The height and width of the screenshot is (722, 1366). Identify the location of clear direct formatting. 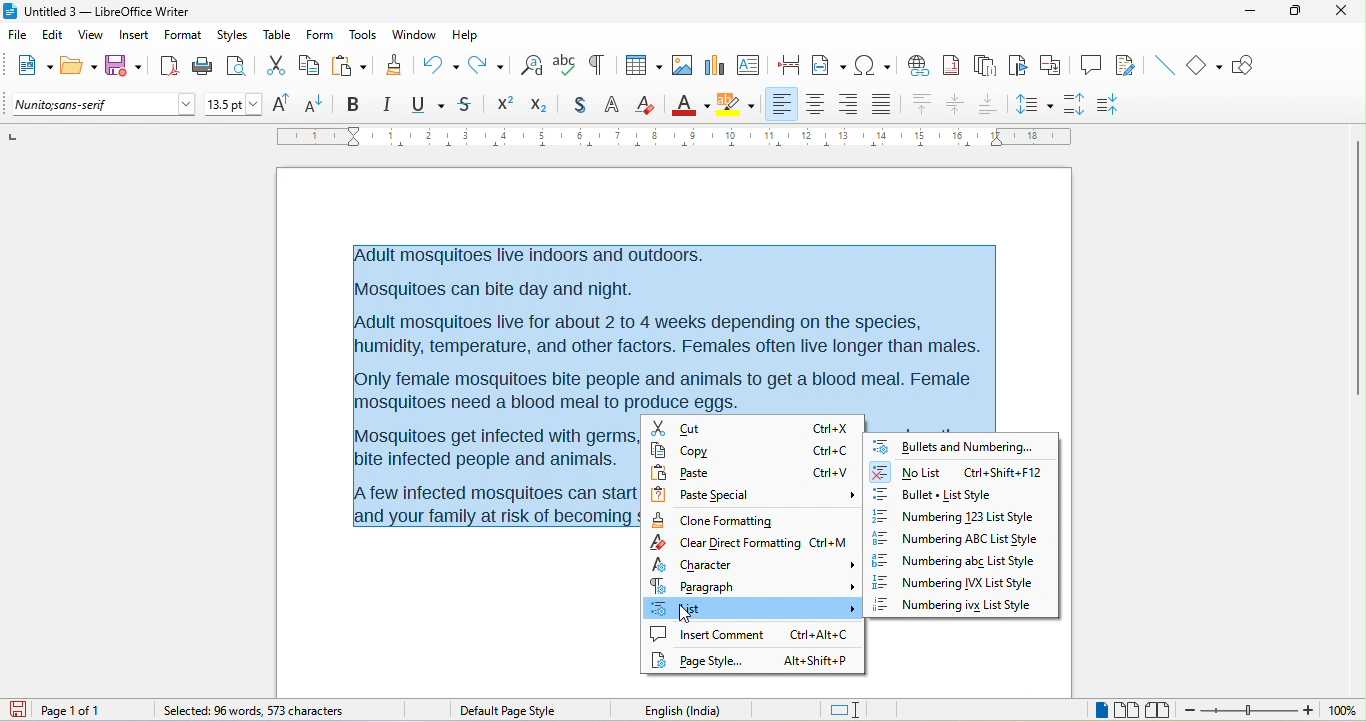
(755, 544).